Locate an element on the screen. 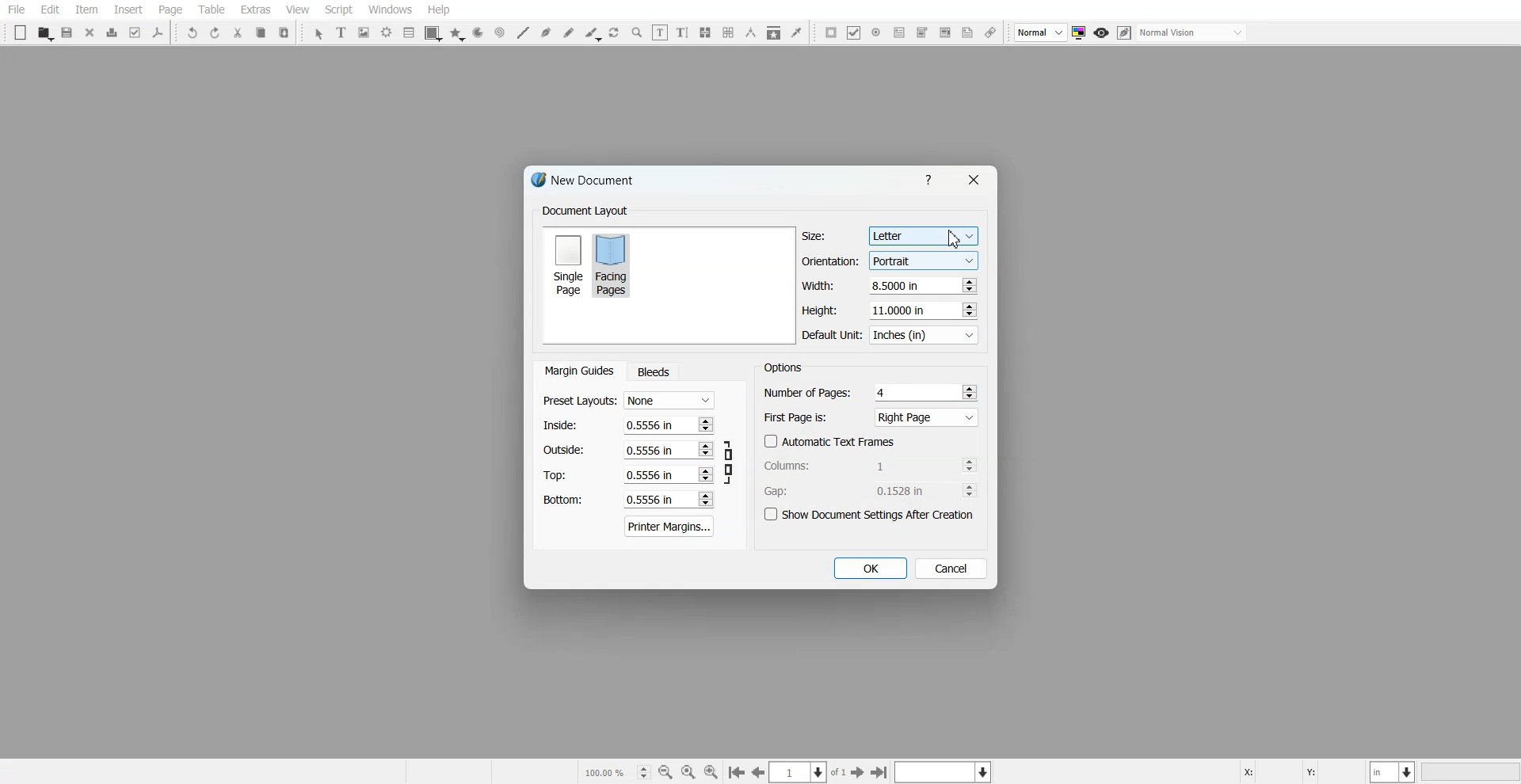 The width and height of the screenshot is (1521, 784). Zoom in or Out is located at coordinates (637, 32).